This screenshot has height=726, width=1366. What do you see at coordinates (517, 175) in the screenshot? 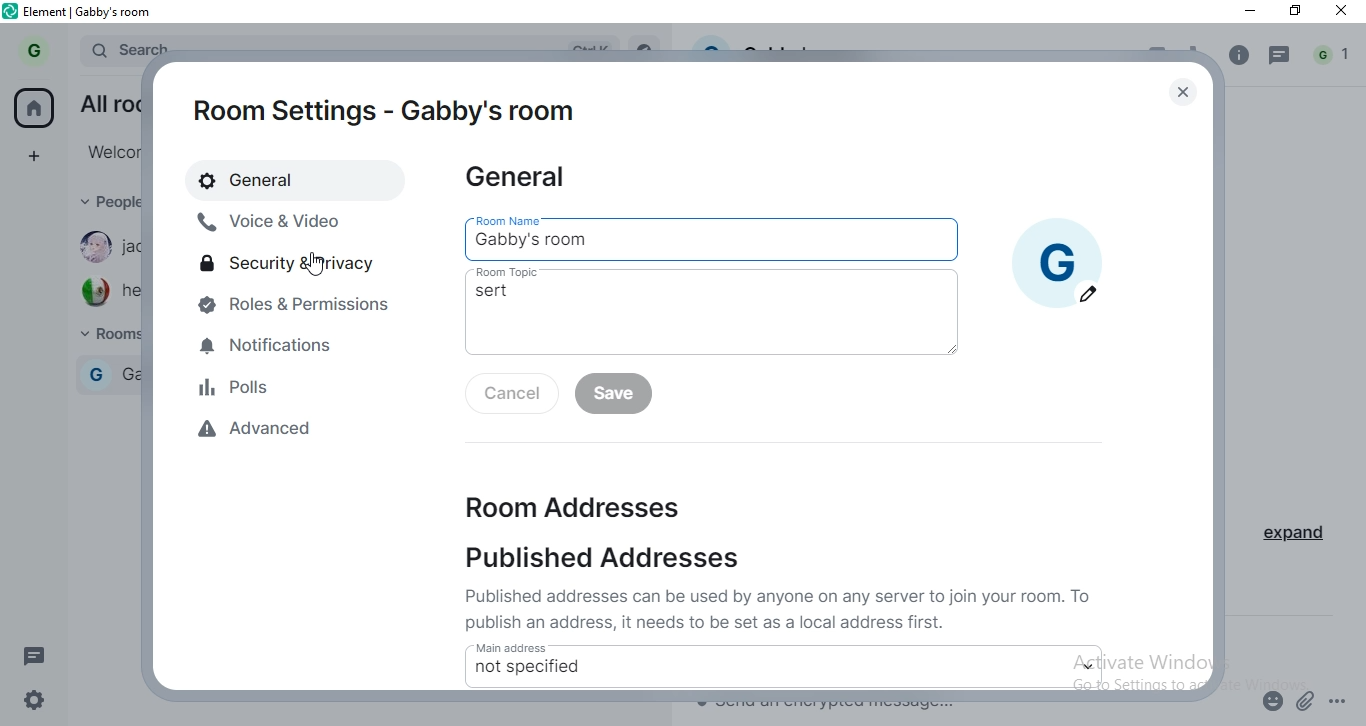
I see `general` at bounding box center [517, 175].